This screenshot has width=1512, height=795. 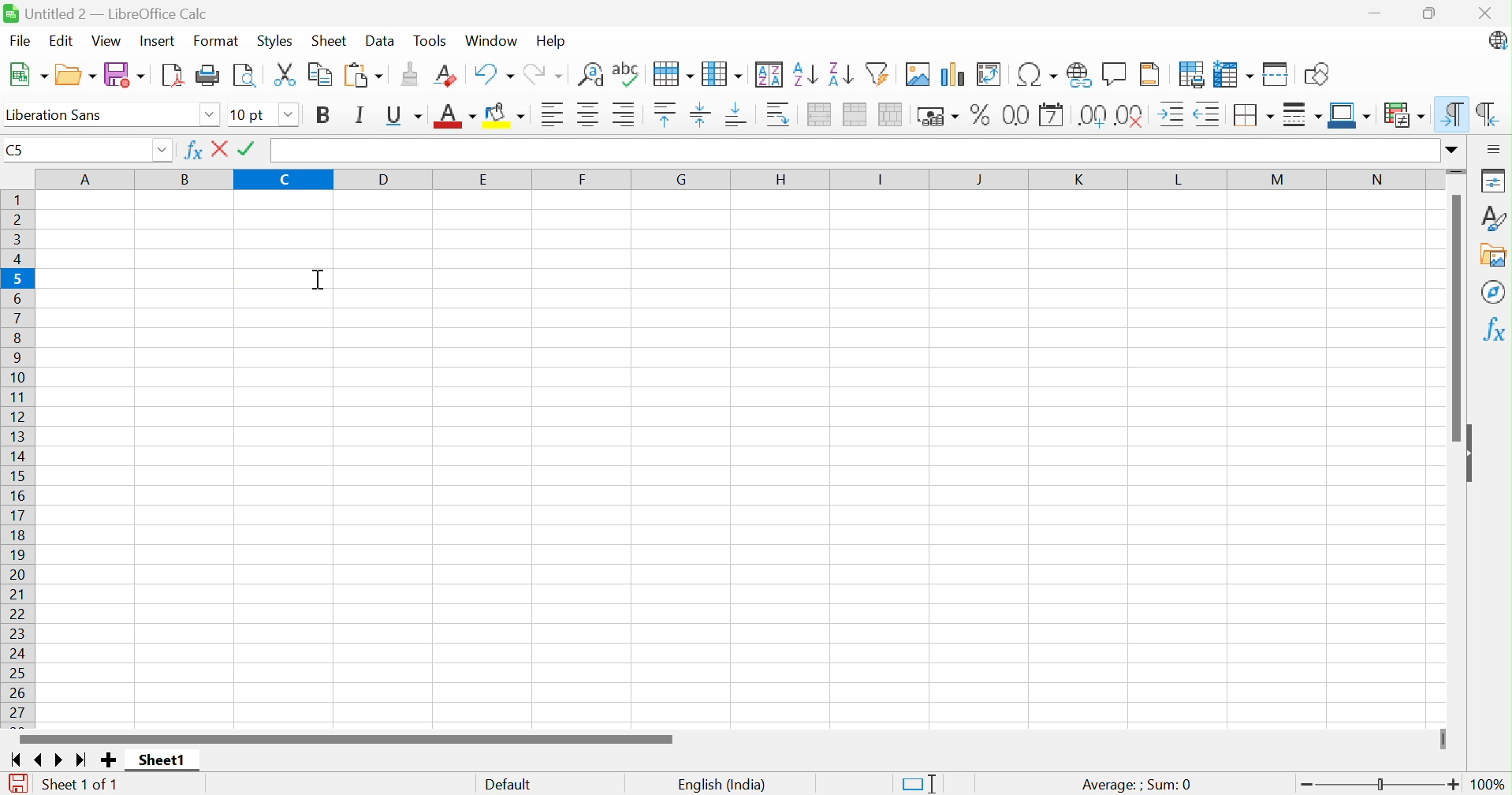 What do you see at coordinates (109, 760) in the screenshot?
I see `Add new sheet` at bounding box center [109, 760].